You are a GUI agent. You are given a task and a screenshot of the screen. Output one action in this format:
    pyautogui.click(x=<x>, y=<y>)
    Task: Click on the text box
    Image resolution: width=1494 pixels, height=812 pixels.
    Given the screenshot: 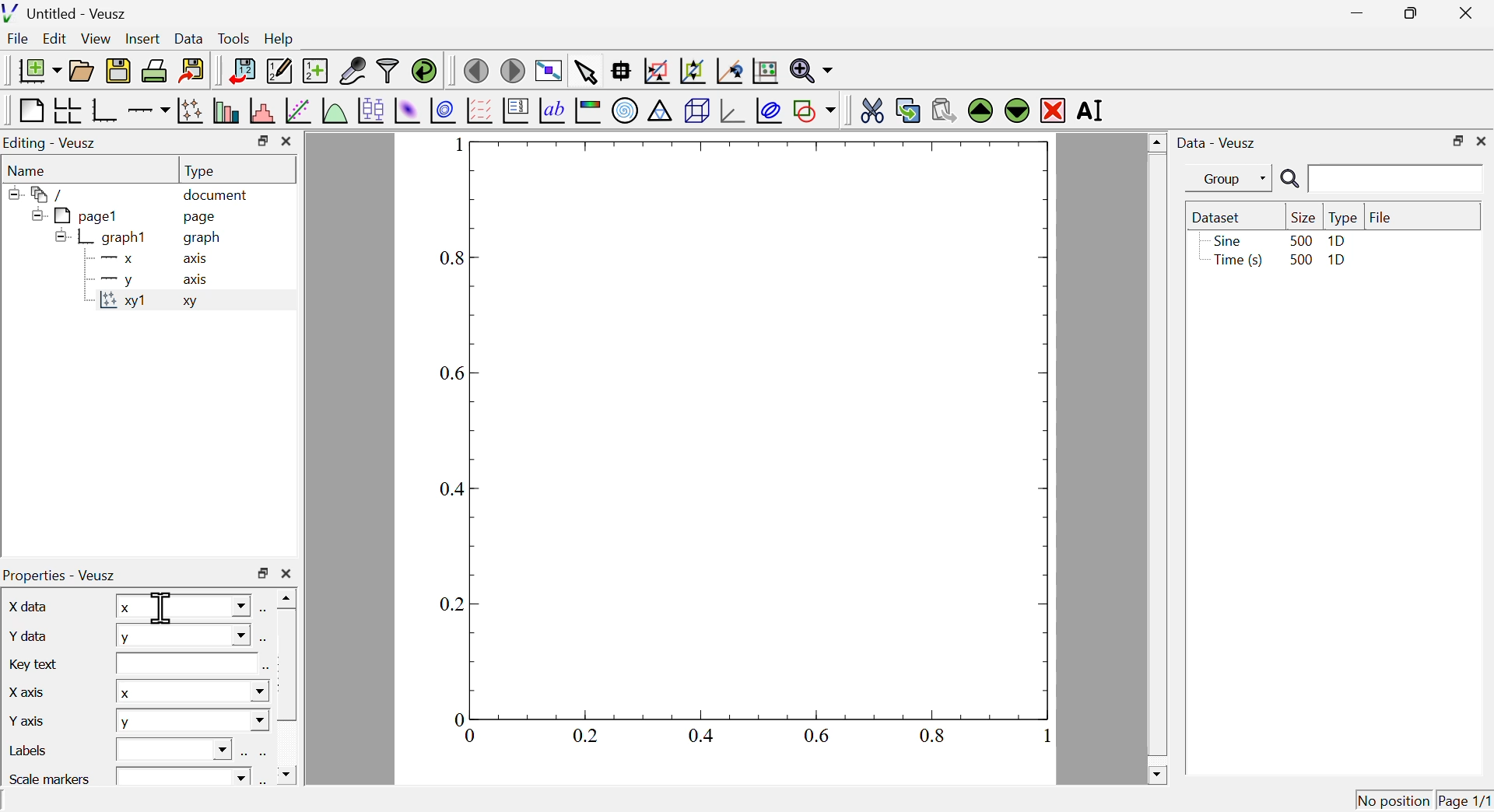 What is the action you would take?
    pyautogui.click(x=184, y=775)
    